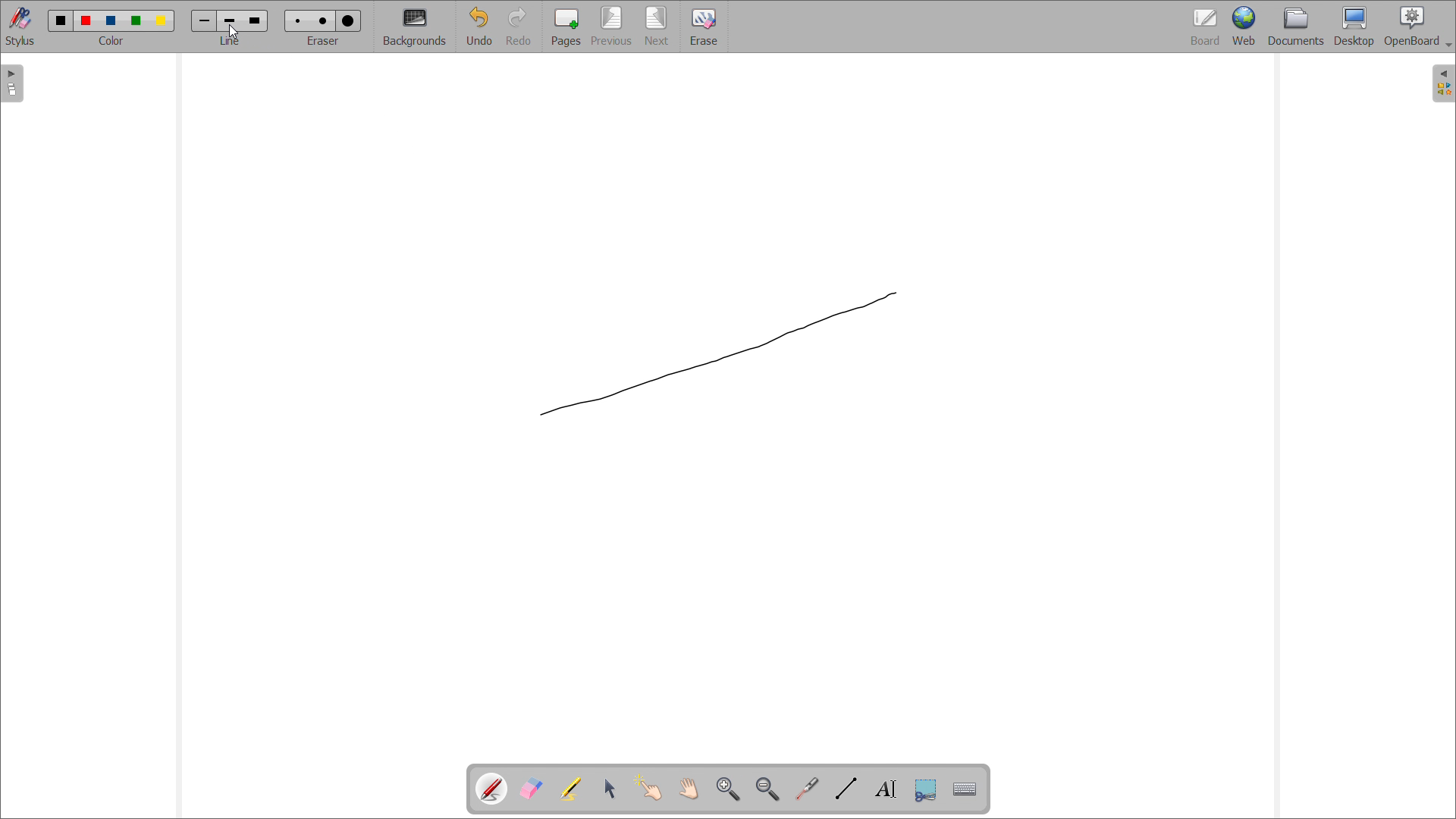 The height and width of the screenshot is (819, 1456). I want to click on line width size, so click(231, 22).